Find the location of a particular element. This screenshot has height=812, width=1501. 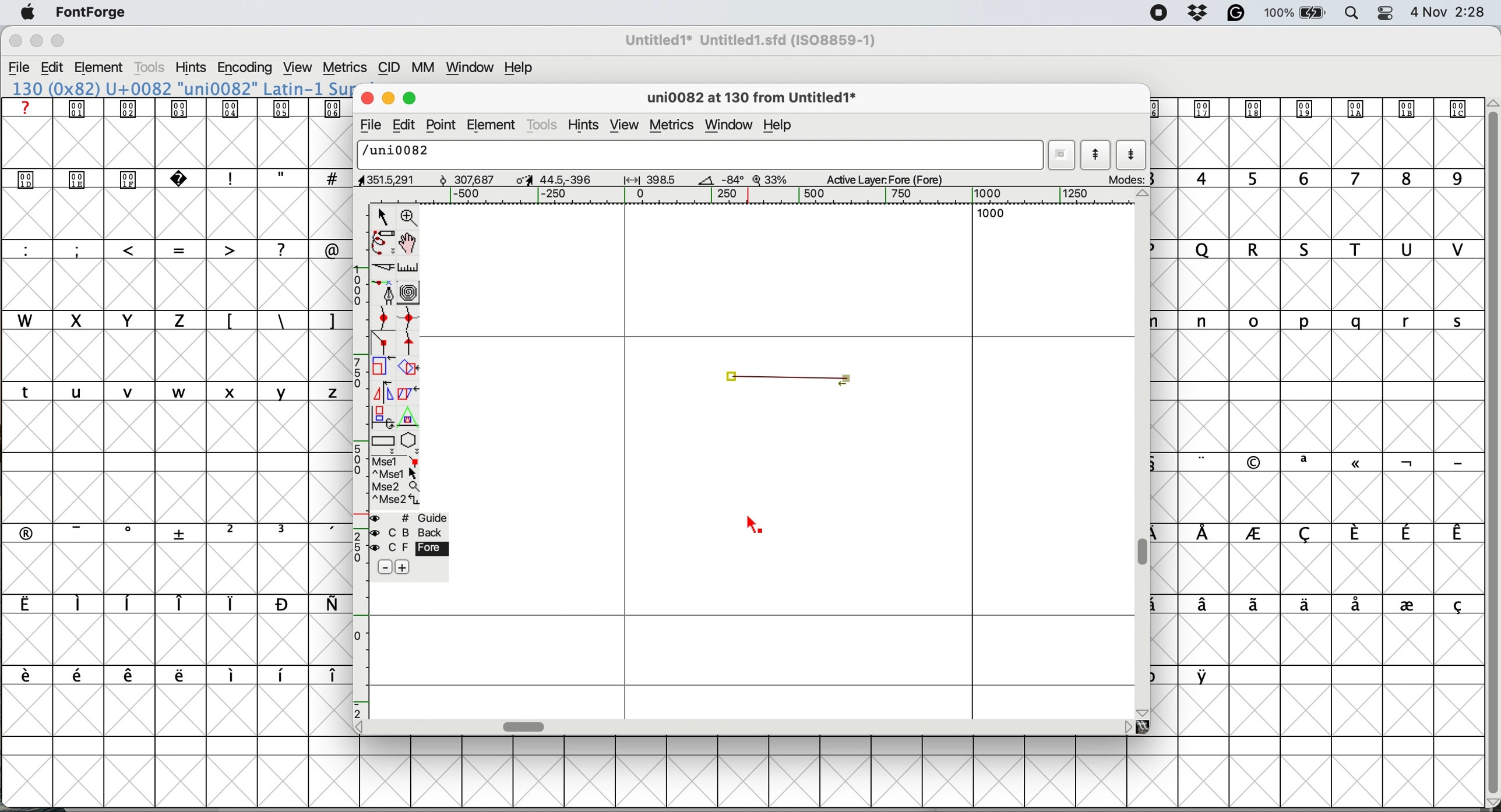

file is located at coordinates (369, 125).